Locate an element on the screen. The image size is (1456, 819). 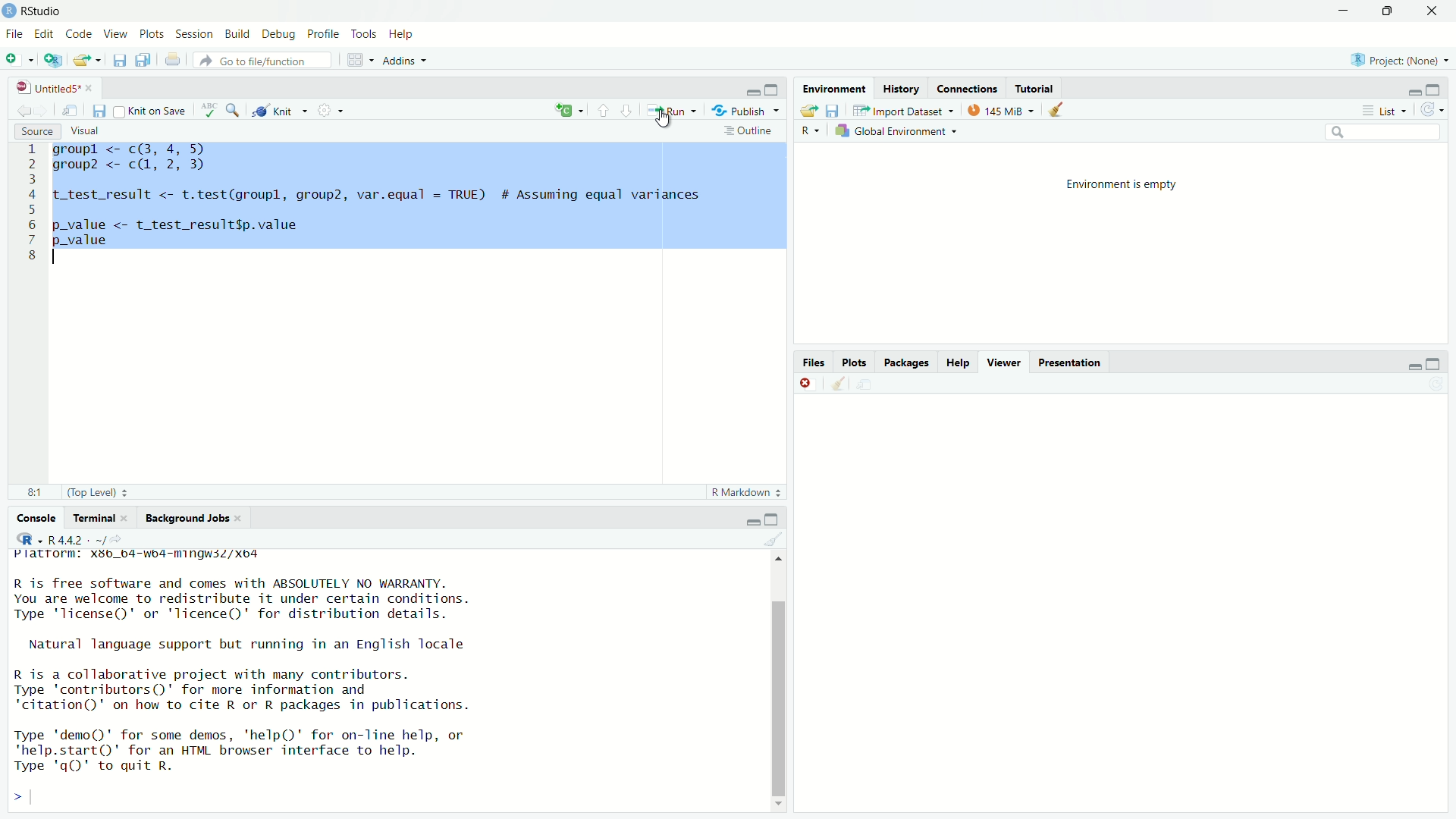
RStudio Logo is located at coordinates (11, 11).